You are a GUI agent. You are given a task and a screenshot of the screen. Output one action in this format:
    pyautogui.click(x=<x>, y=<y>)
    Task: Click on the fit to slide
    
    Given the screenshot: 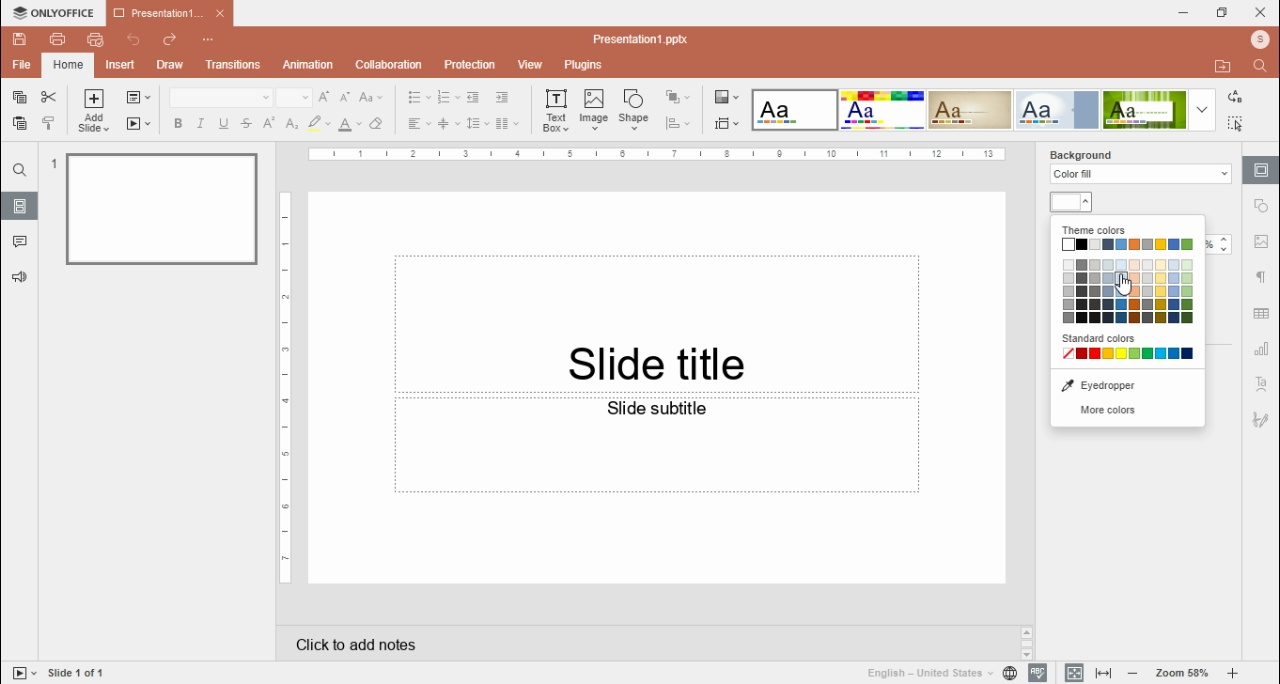 What is the action you would take?
    pyautogui.click(x=1103, y=674)
    